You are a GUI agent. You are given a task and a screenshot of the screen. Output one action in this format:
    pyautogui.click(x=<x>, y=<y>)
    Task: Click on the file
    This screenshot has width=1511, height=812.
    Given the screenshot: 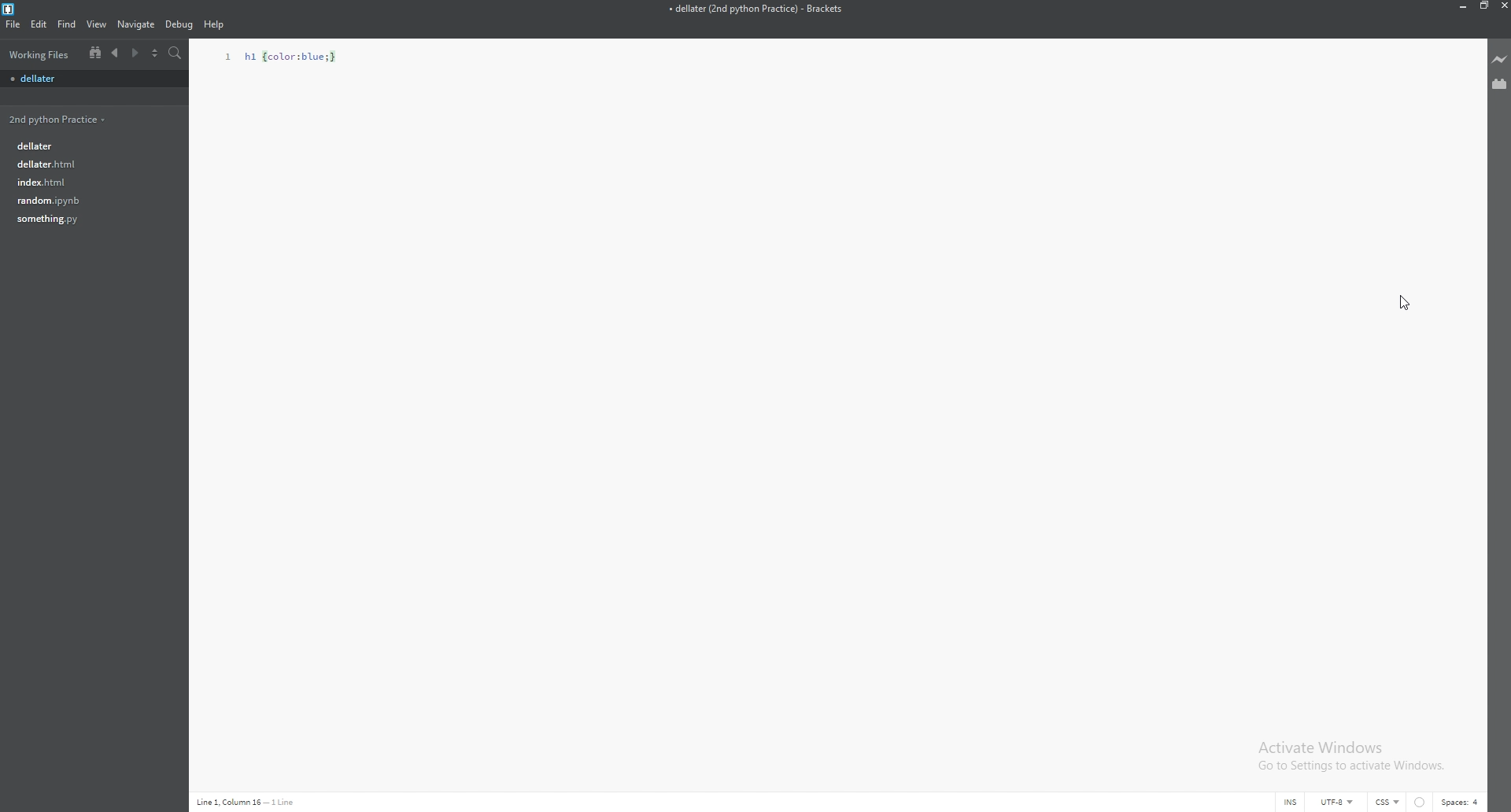 What is the action you would take?
    pyautogui.click(x=87, y=164)
    